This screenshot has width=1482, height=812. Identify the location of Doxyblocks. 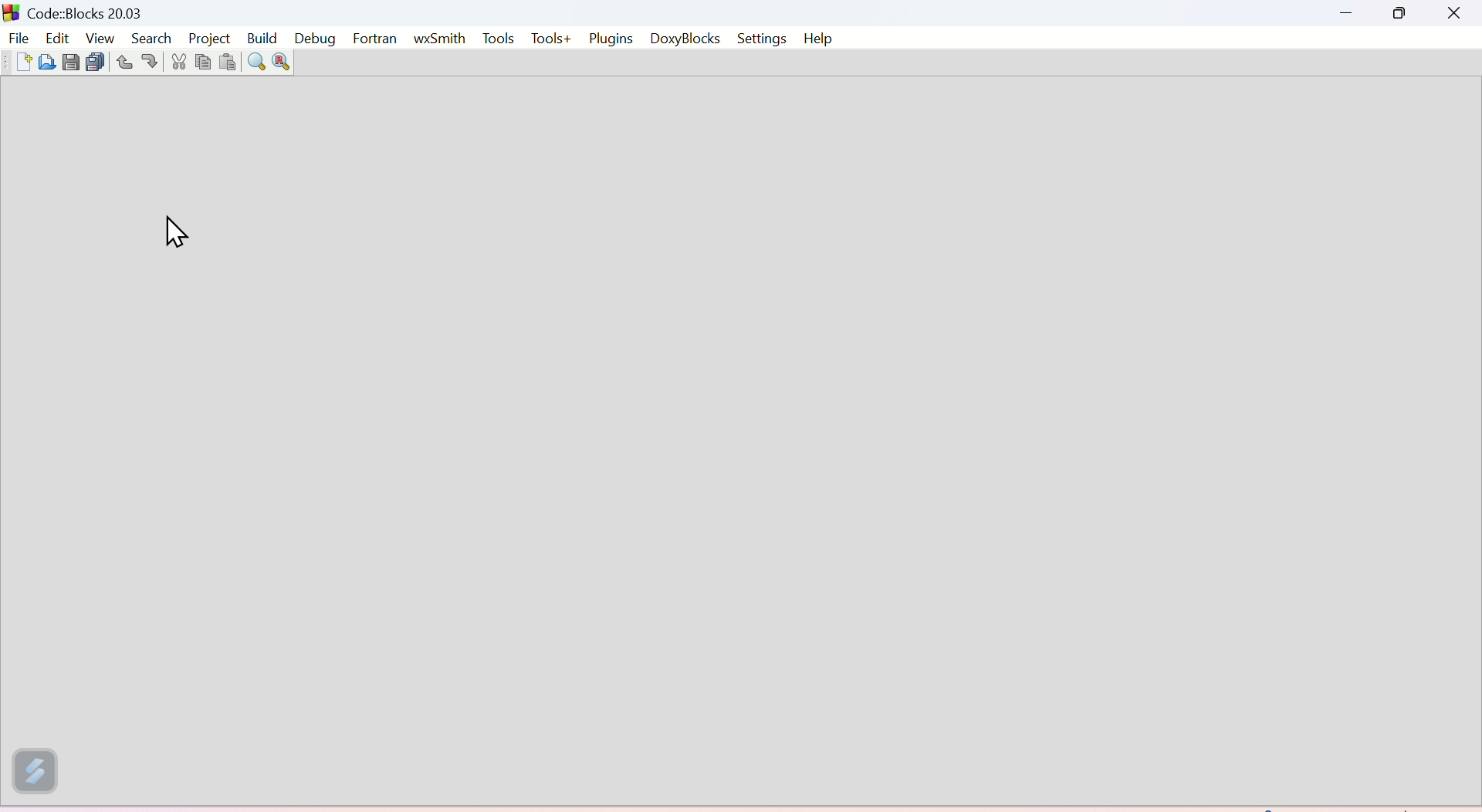
(685, 40).